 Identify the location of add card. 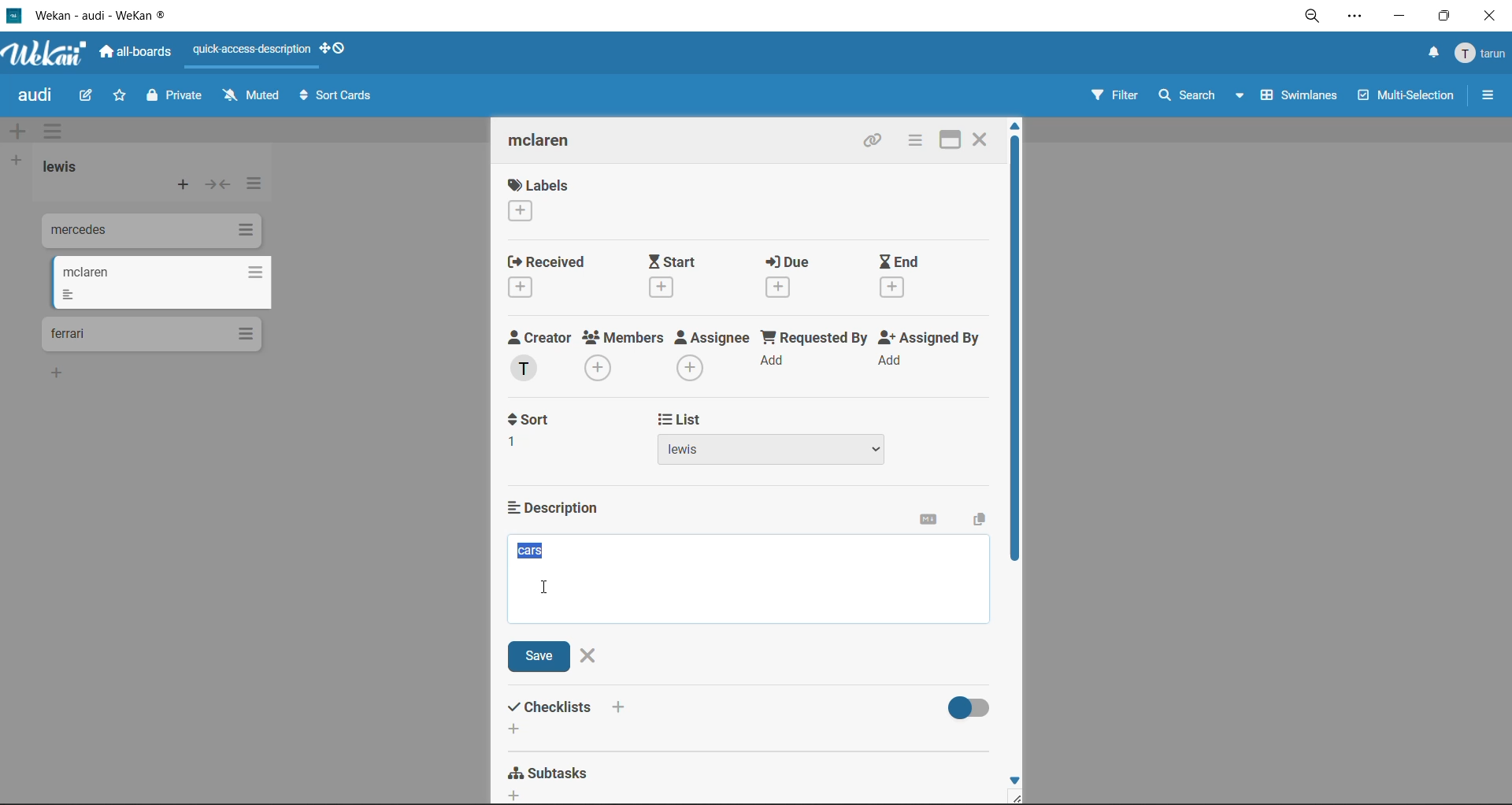
(184, 187).